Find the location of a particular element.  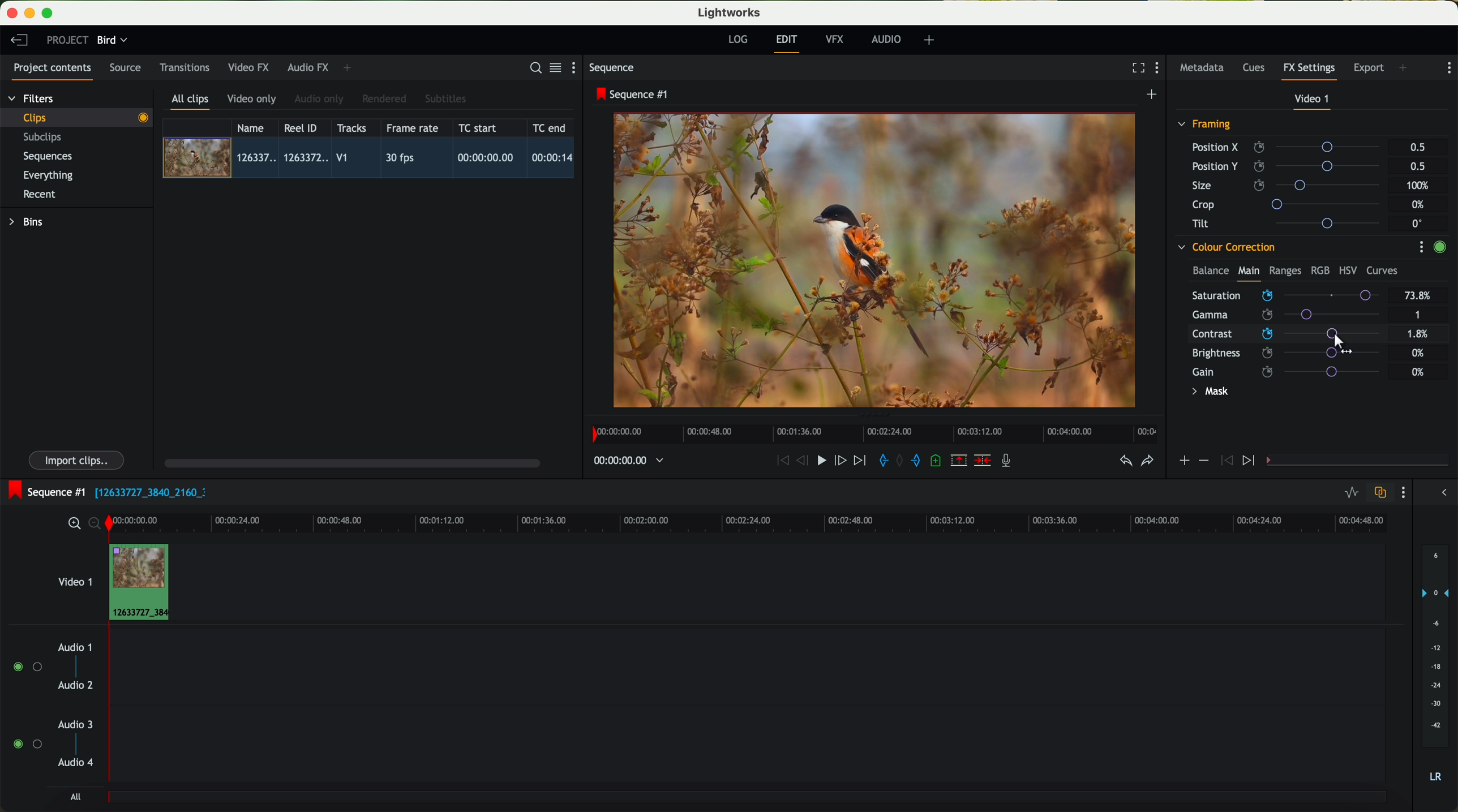

curves is located at coordinates (1382, 271).